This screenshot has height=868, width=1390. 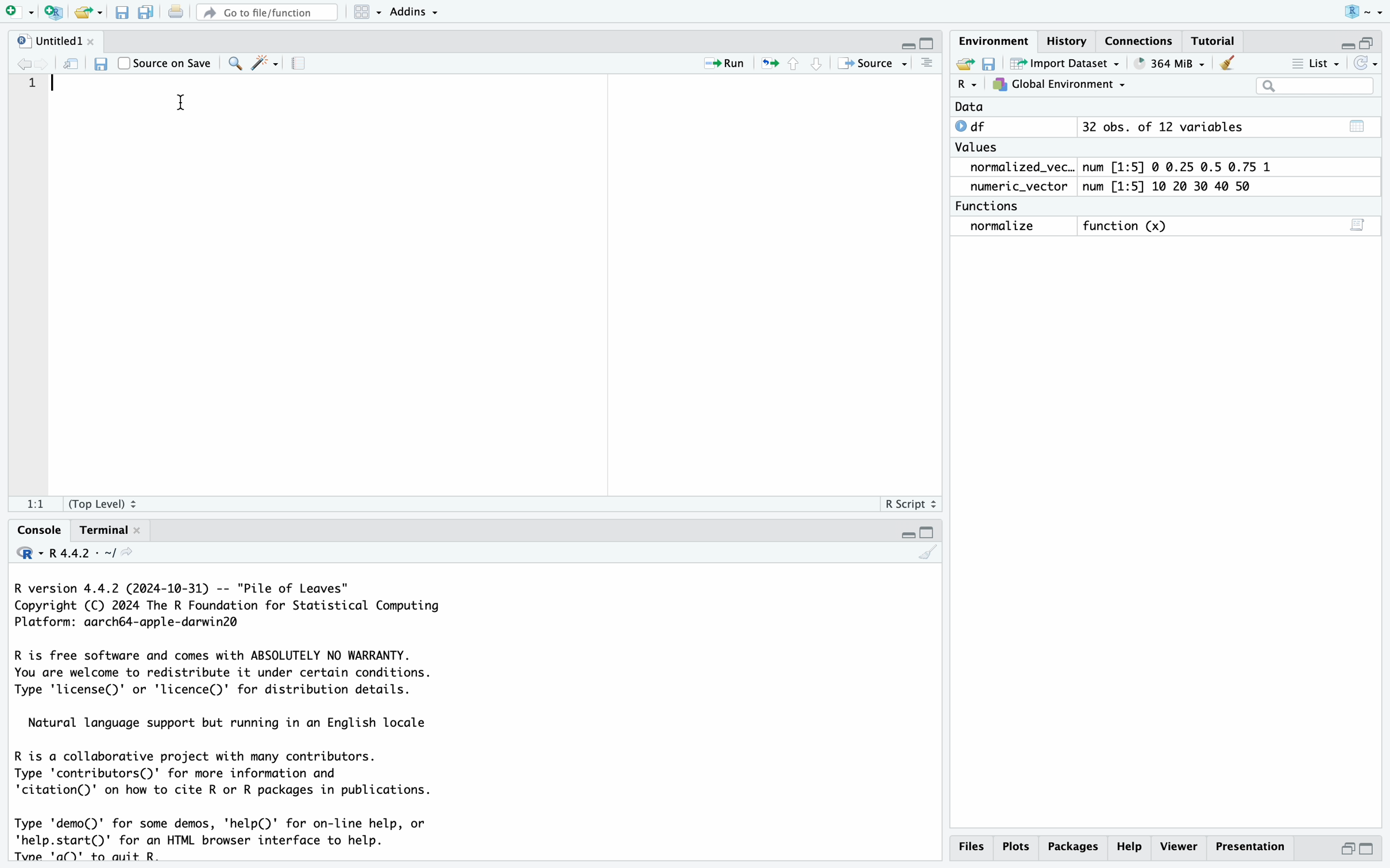 What do you see at coordinates (263, 62) in the screenshot?
I see `Wand` at bounding box center [263, 62].